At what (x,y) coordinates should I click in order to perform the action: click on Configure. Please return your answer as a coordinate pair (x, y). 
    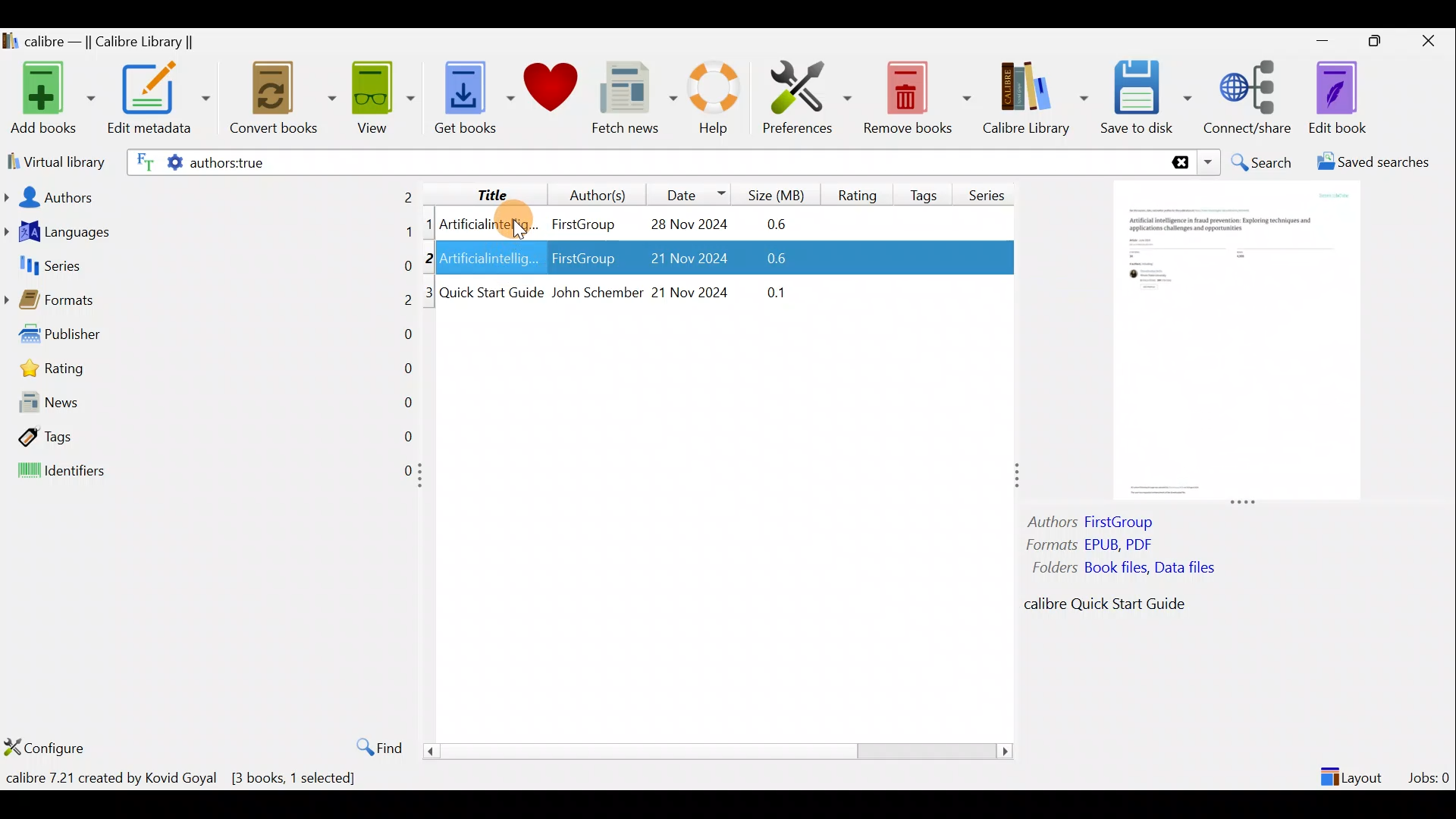
    Looking at the image, I should click on (49, 747).